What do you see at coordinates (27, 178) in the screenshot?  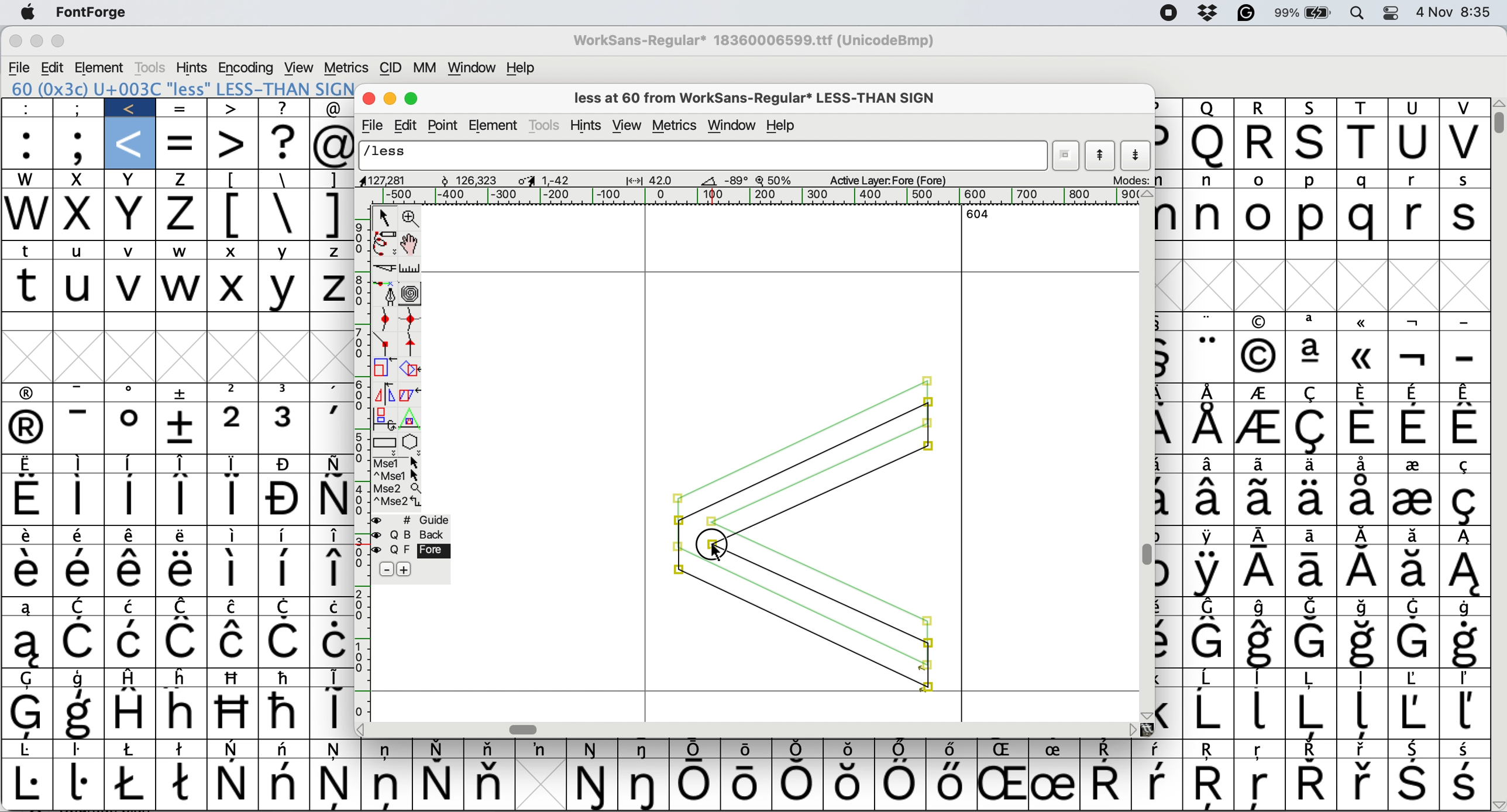 I see `w` at bounding box center [27, 178].